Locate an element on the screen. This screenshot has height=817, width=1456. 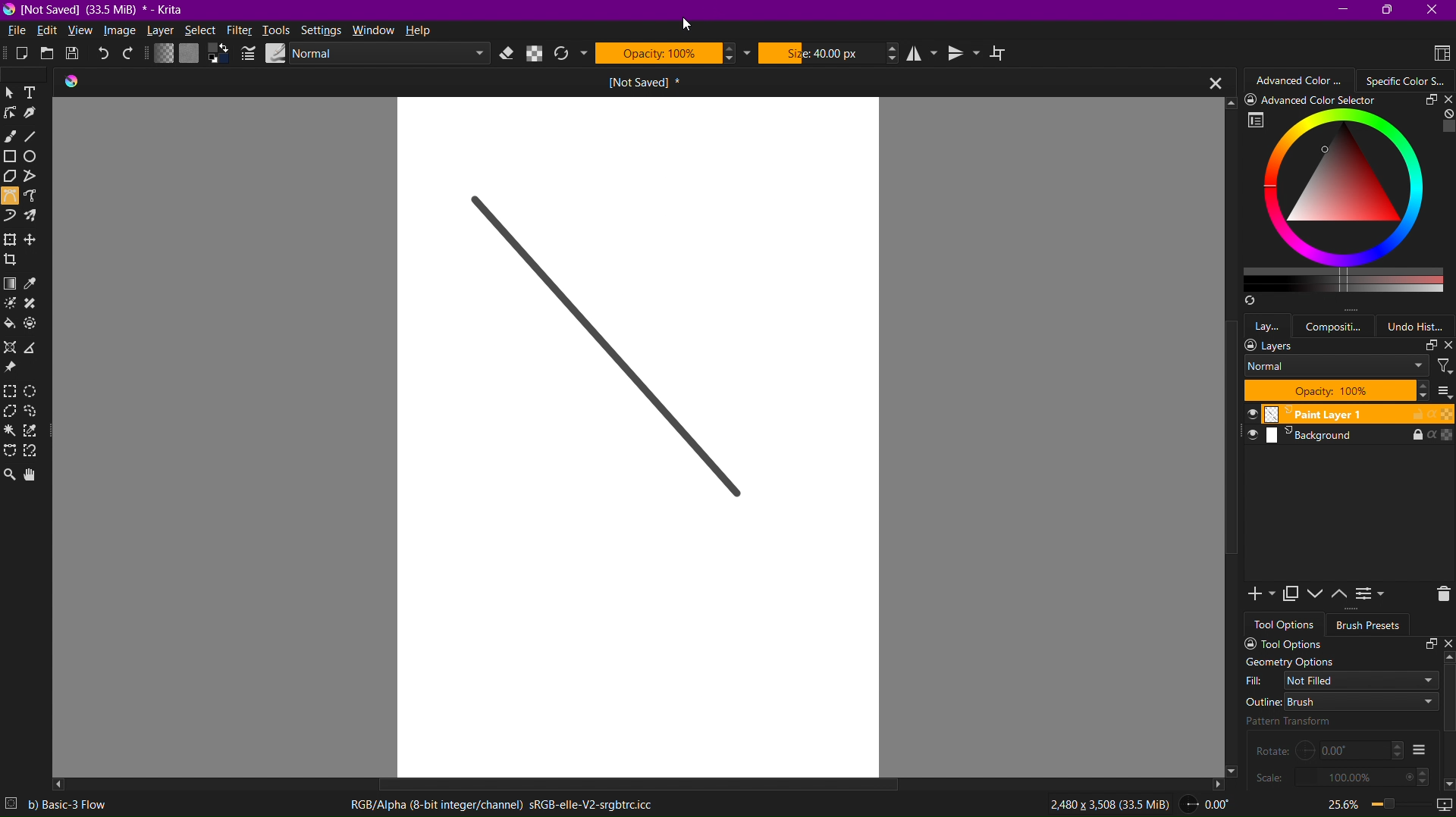
Colorize Mask Tool is located at coordinates (12, 305).